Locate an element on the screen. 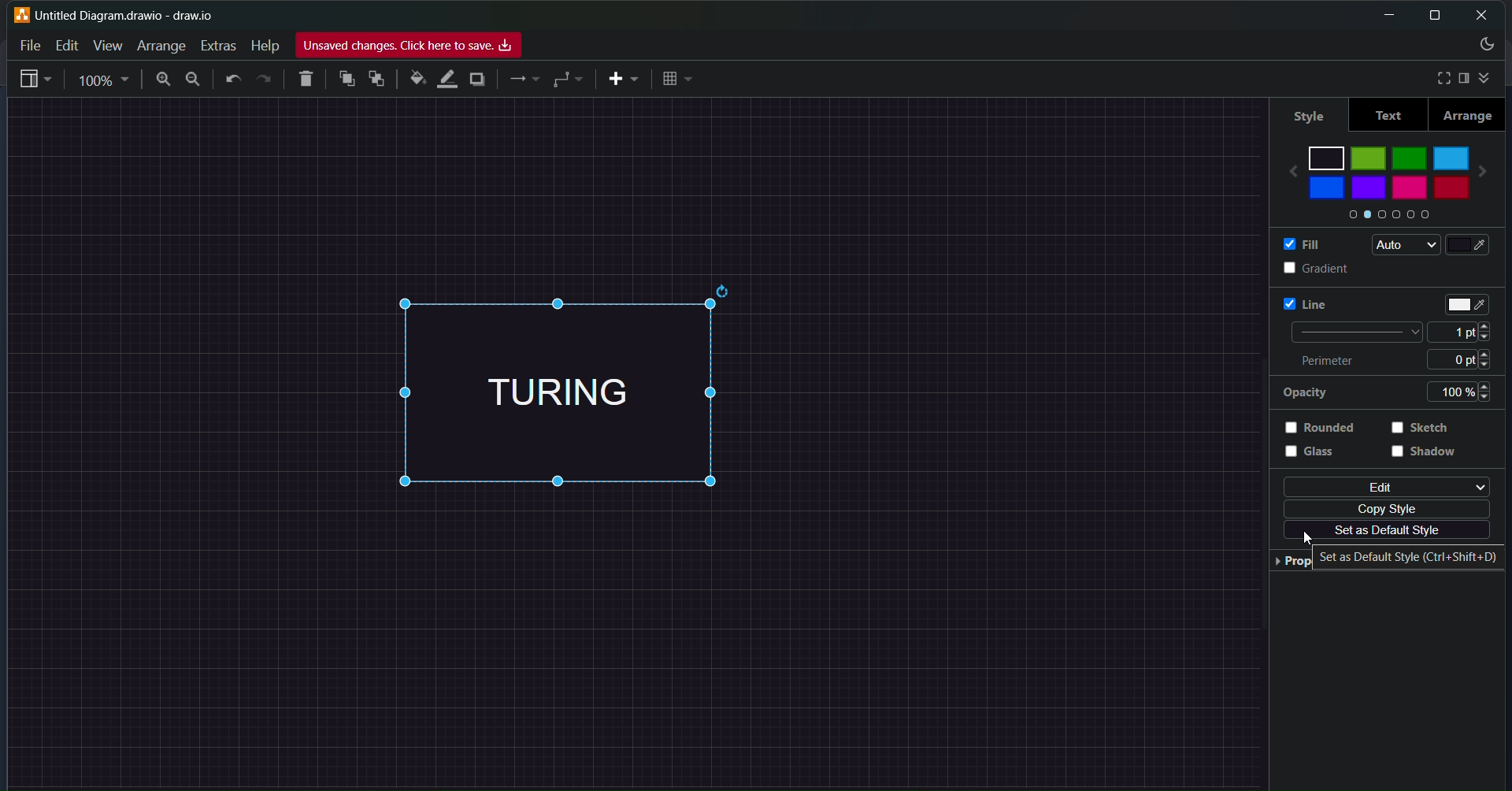 The image size is (1512, 791). style is located at coordinates (1305, 113).